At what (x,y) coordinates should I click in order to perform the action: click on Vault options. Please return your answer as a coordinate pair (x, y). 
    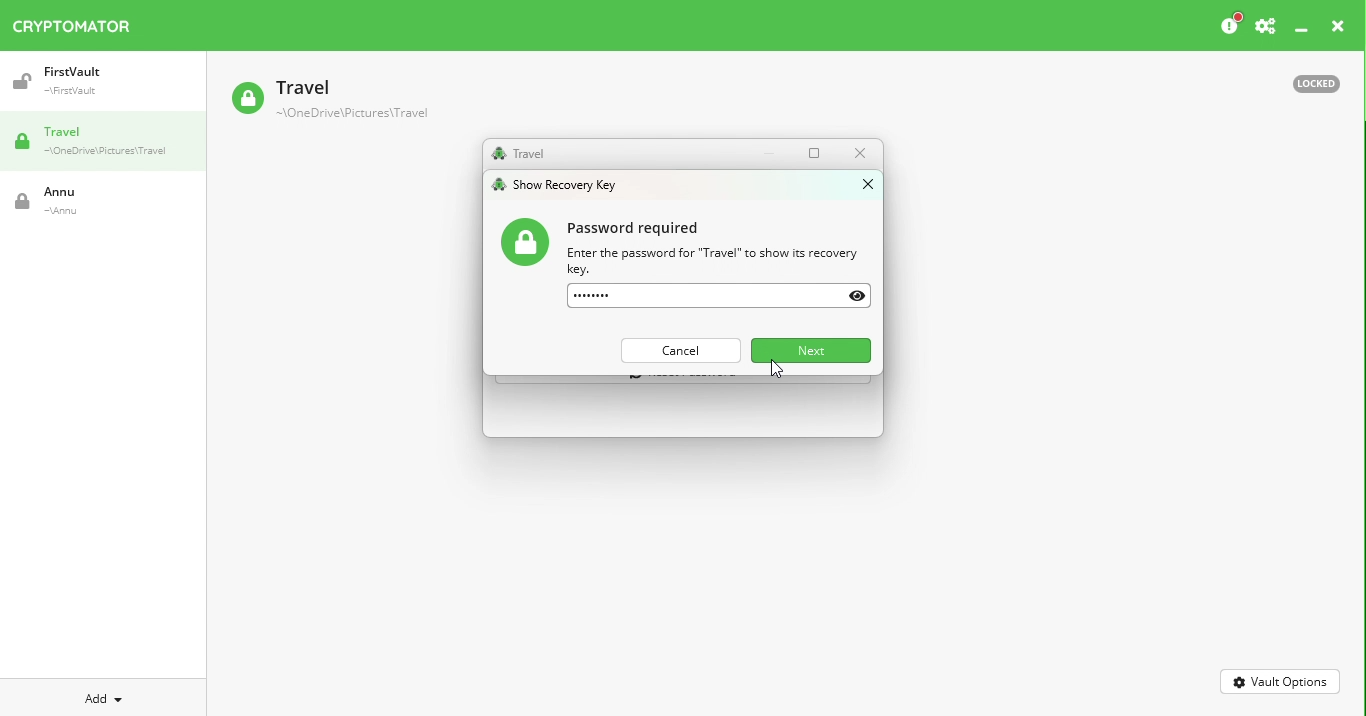
    Looking at the image, I should click on (1281, 680).